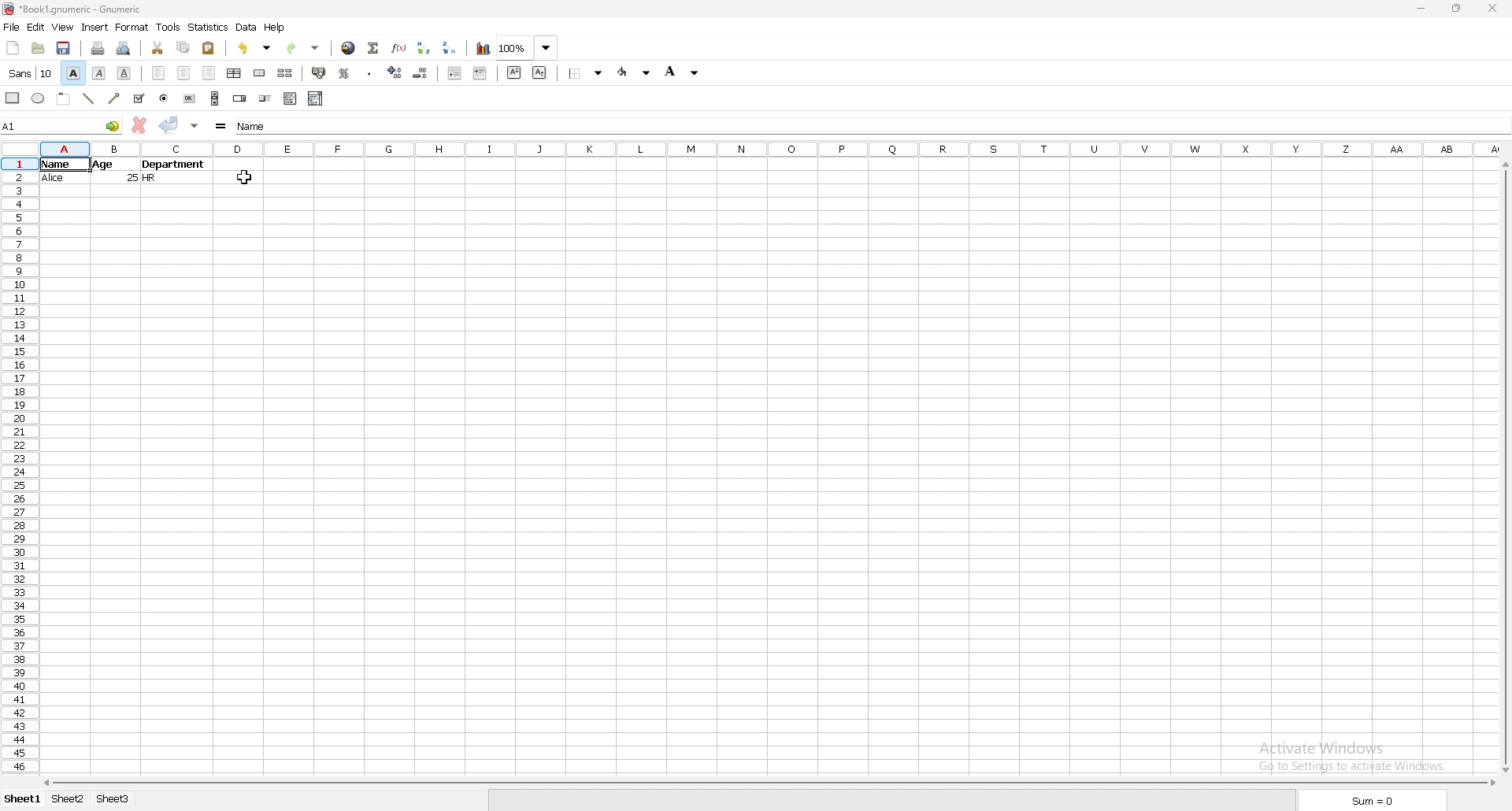  What do you see at coordinates (771, 783) in the screenshot?
I see `scroll bar` at bounding box center [771, 783].